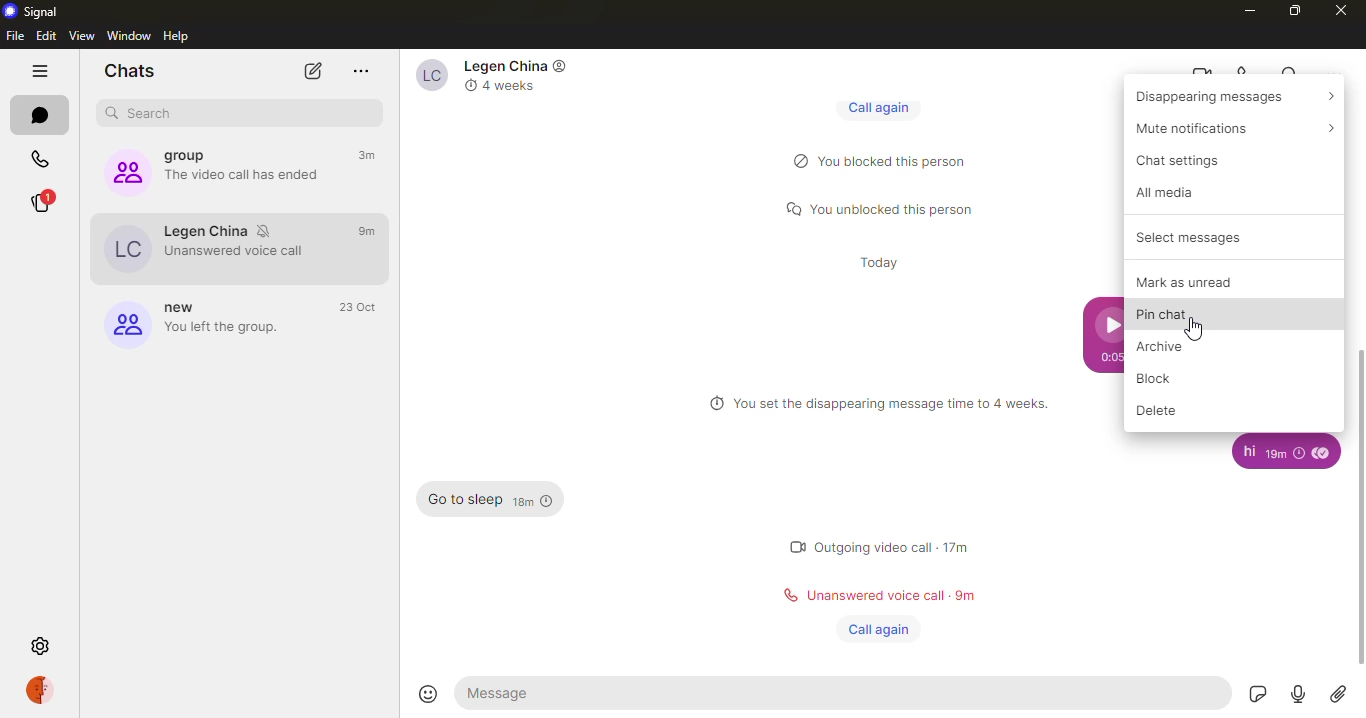  What do you see at coordinates (1339, 692) in the screenshot?
I see `attach` at bounding box center [1339, 692].